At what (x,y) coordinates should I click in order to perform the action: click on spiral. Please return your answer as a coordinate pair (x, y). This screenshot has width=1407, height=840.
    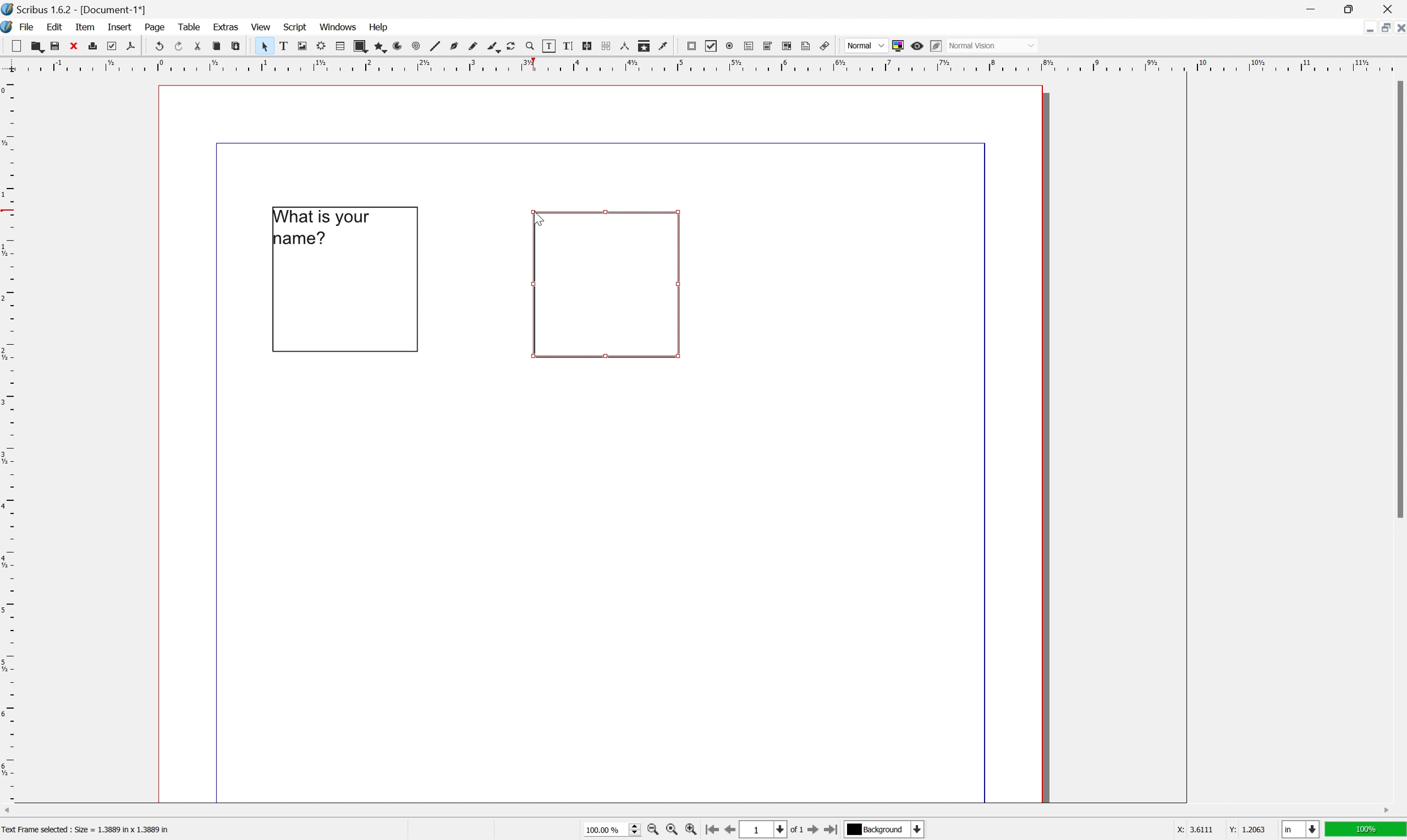
    Looking at the image, I should click on (401, 46).